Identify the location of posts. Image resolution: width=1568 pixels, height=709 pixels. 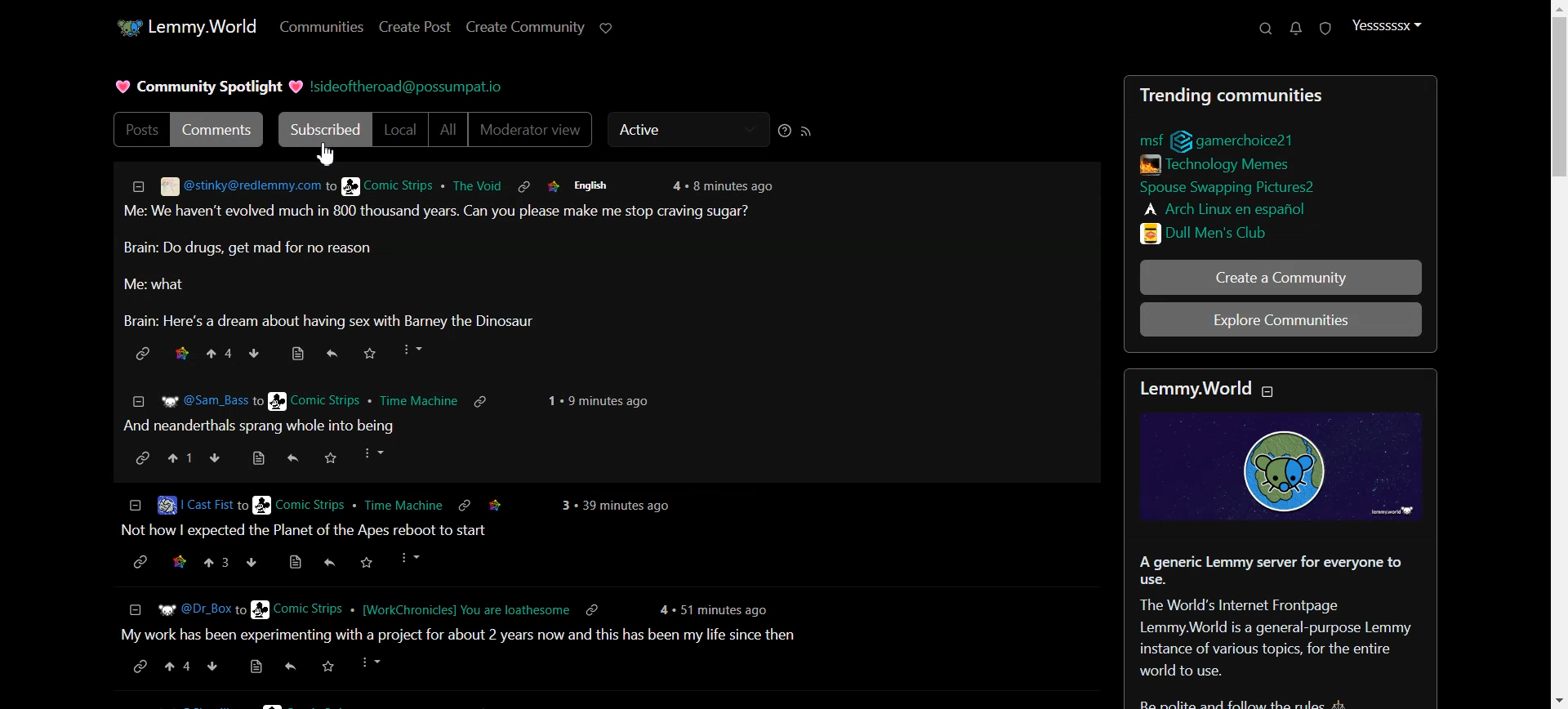
(601, 634).